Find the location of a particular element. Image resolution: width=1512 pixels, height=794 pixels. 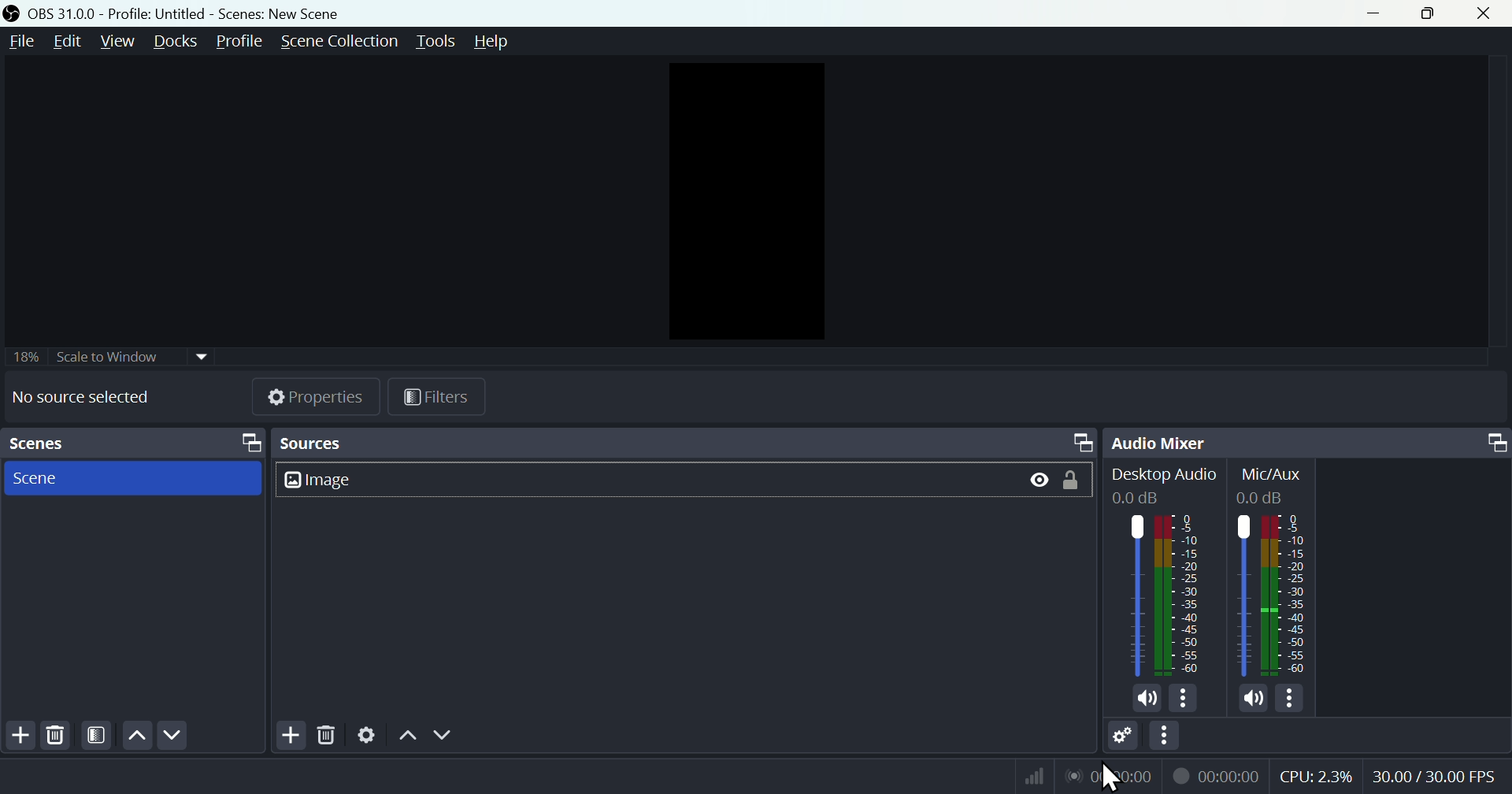

Audio mixer is located at coordinates (1310, 439).